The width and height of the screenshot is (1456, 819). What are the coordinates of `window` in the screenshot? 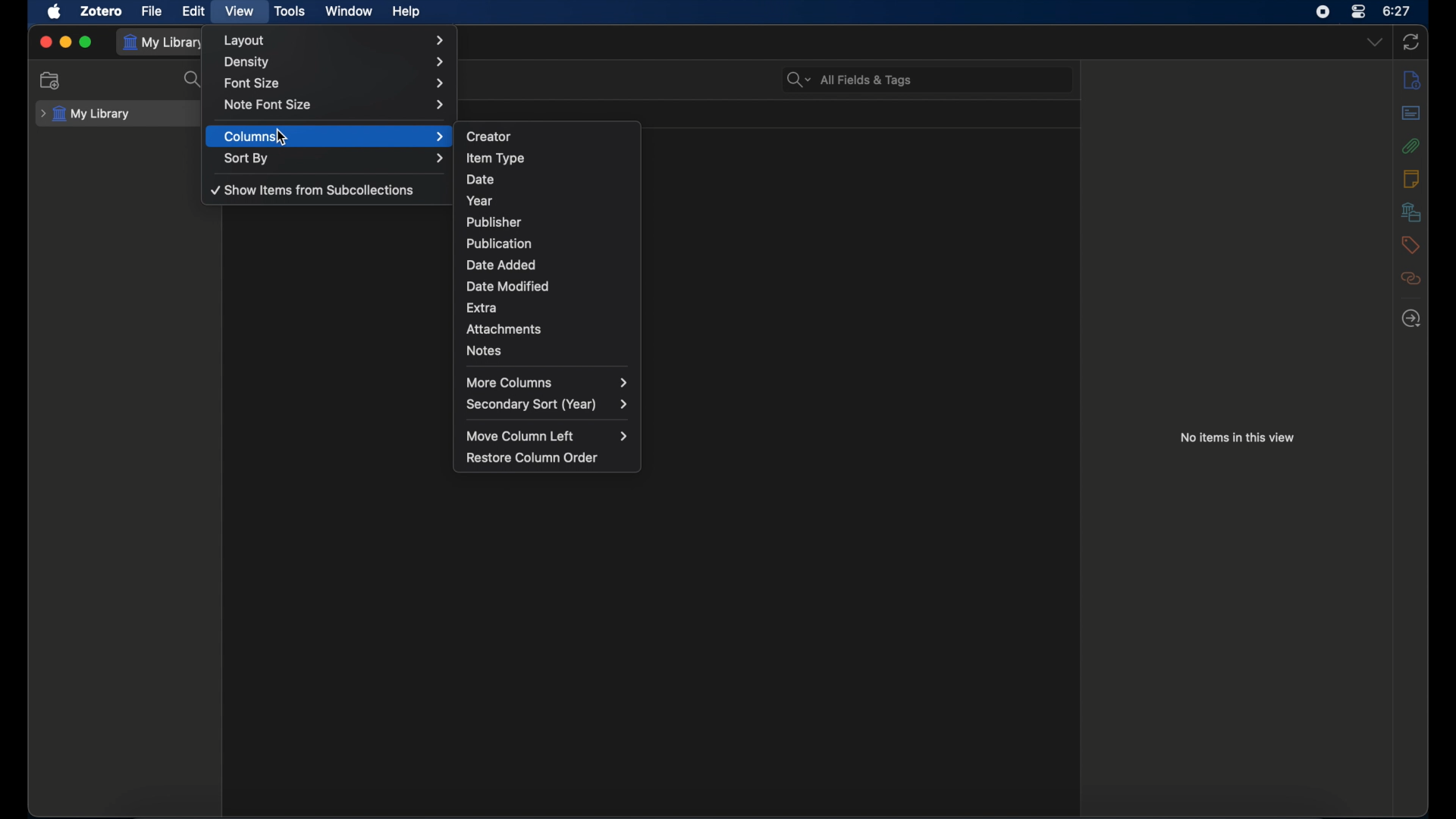 It's located at (350, 11).